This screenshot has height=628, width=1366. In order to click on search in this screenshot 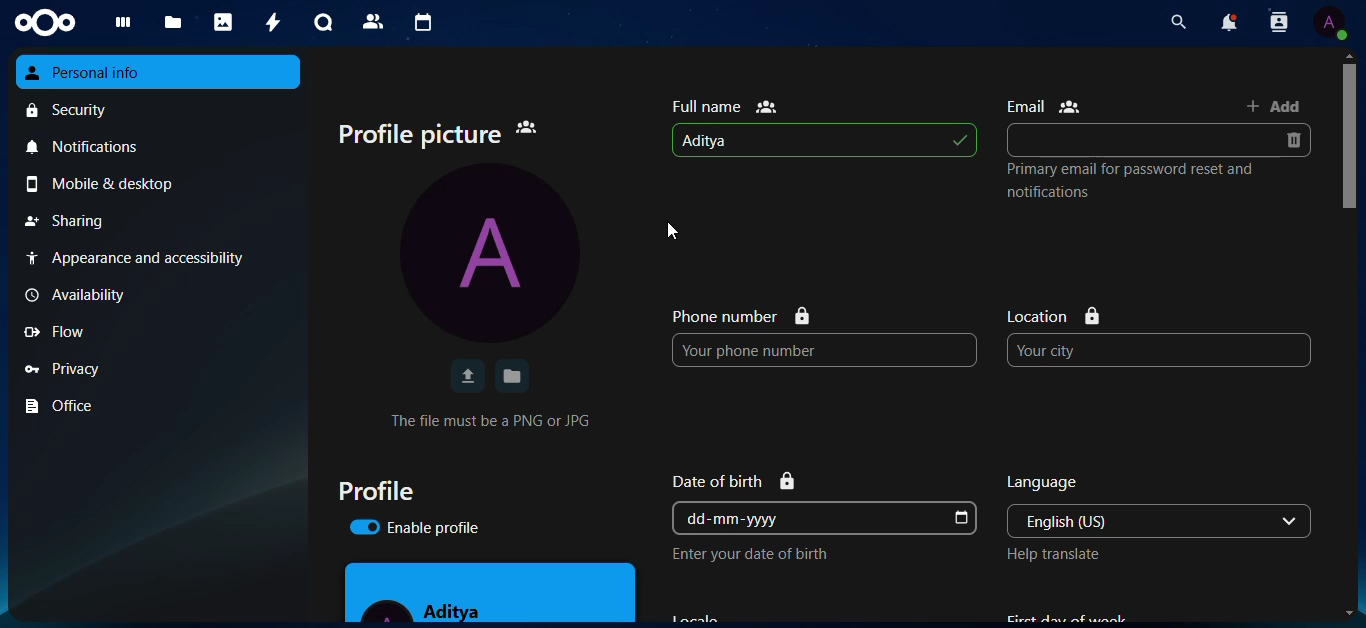, I will do `click(1178, 22)`.